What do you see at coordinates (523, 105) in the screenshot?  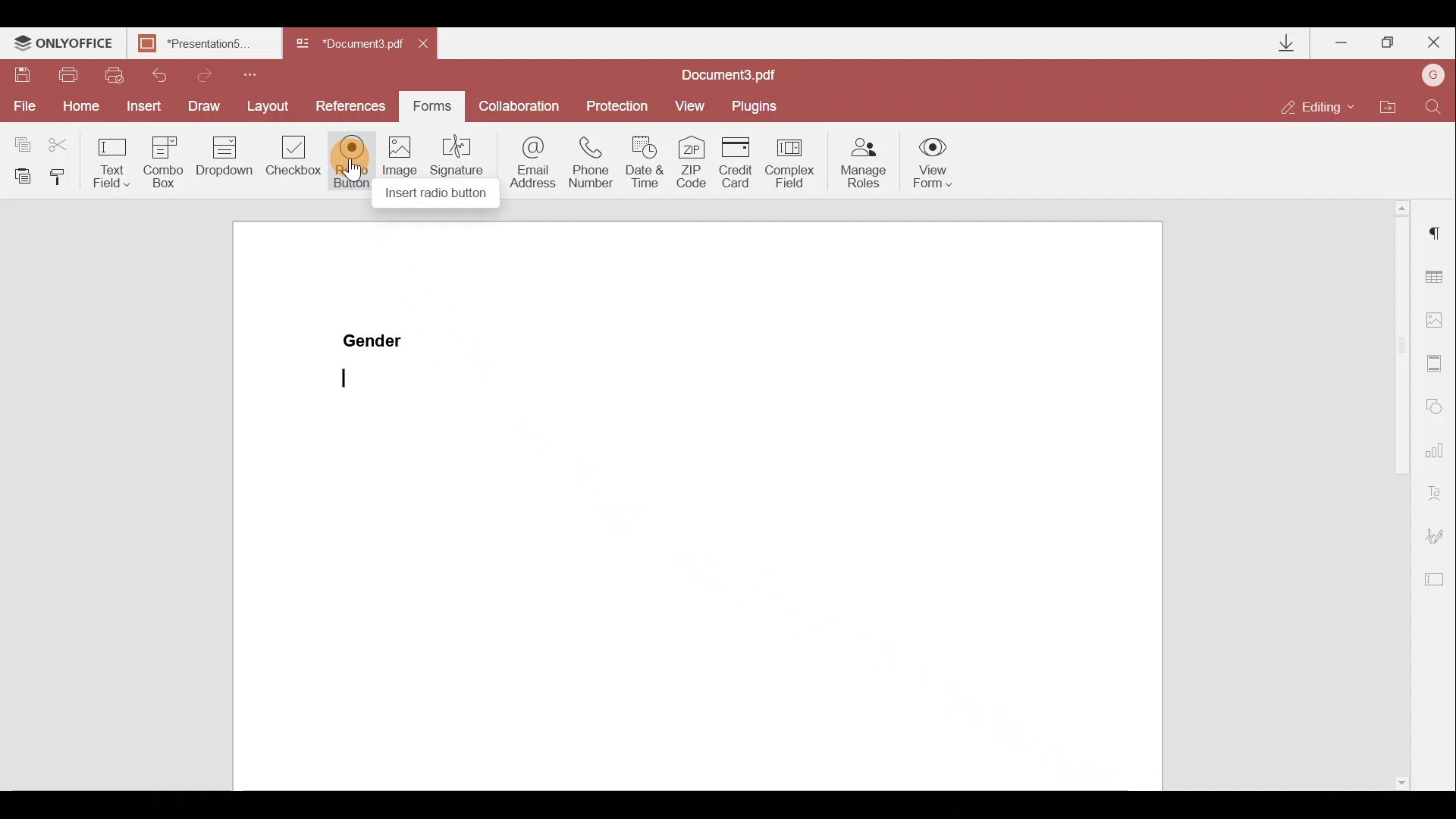 I see `Collaboration` at bounding box center [523, 105].